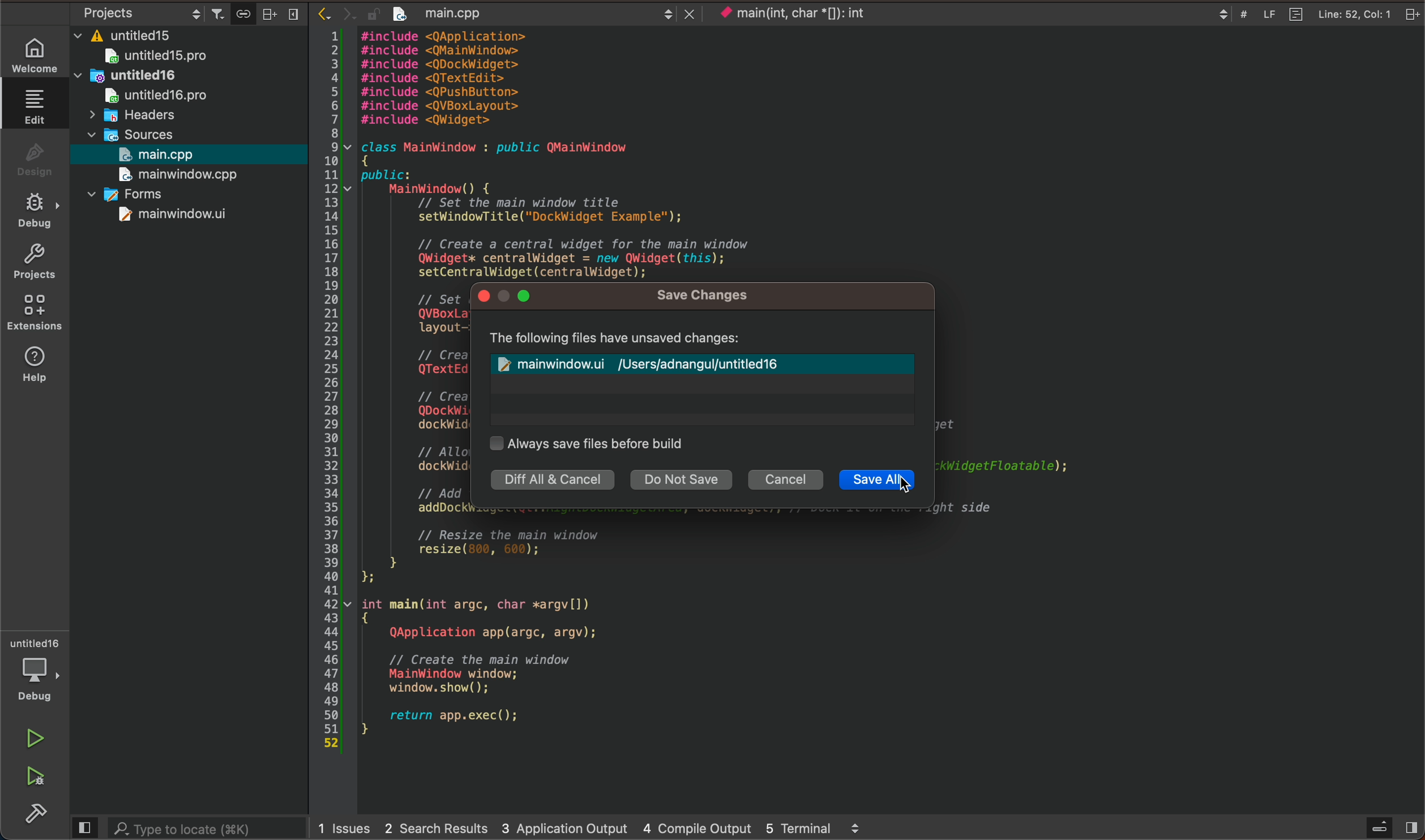 Image resolution: width=1425 pixels, height=840 pixels. I want to click on run, so click(33, 738).